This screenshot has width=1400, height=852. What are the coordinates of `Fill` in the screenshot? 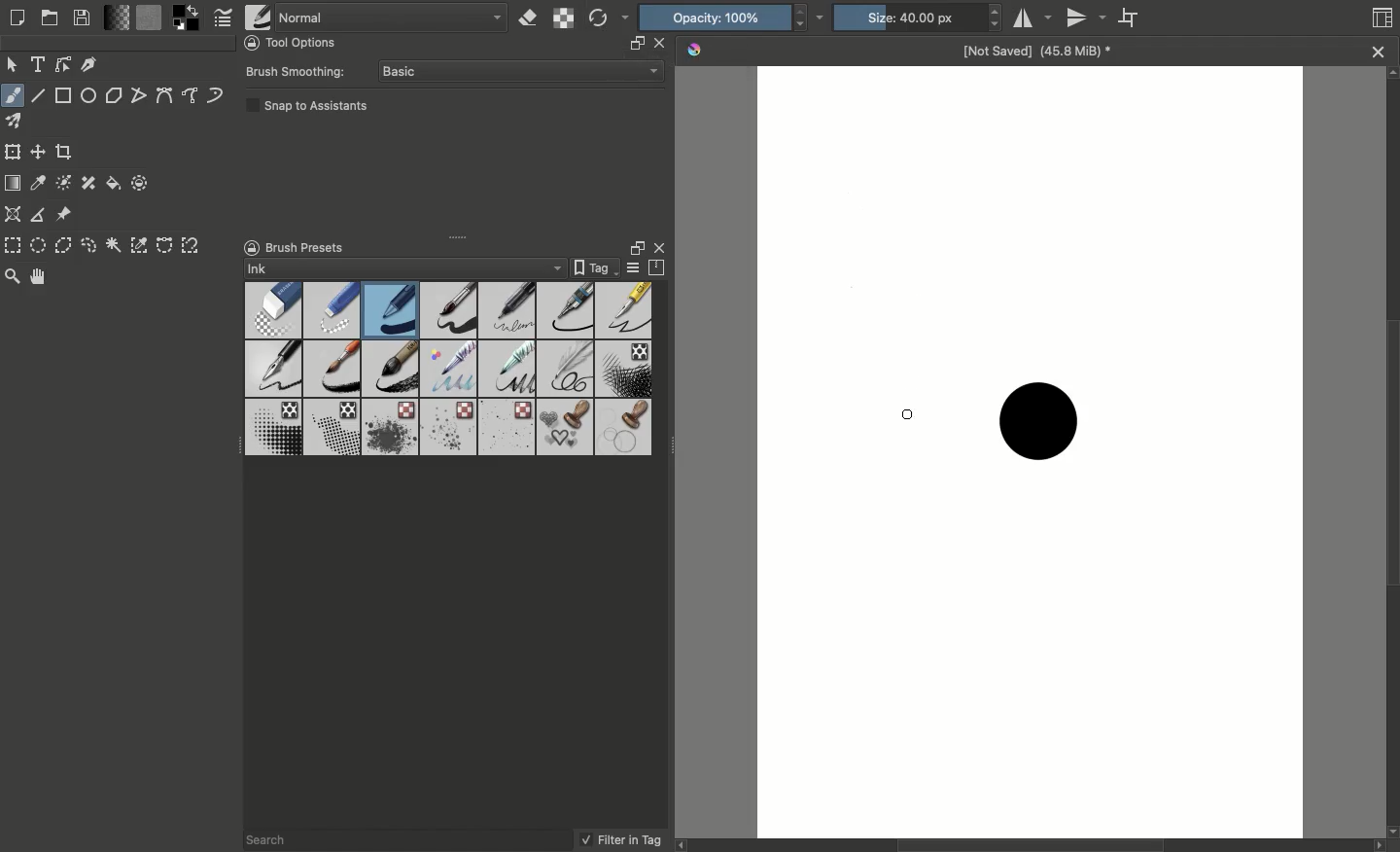 It's located at (114, 183).